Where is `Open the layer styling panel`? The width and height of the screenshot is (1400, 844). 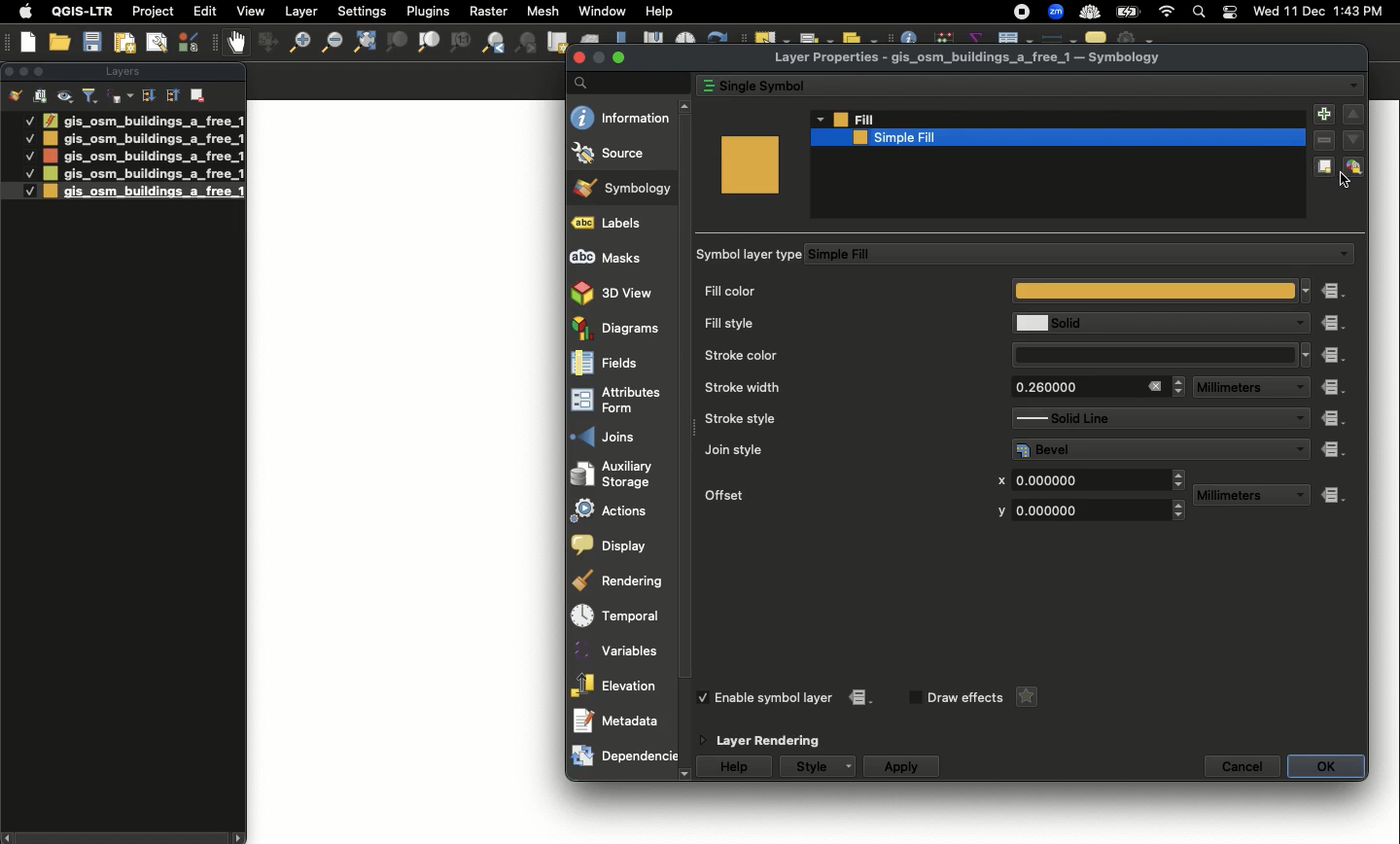
Open the layer styling panel is located at coordinates (16, 96).